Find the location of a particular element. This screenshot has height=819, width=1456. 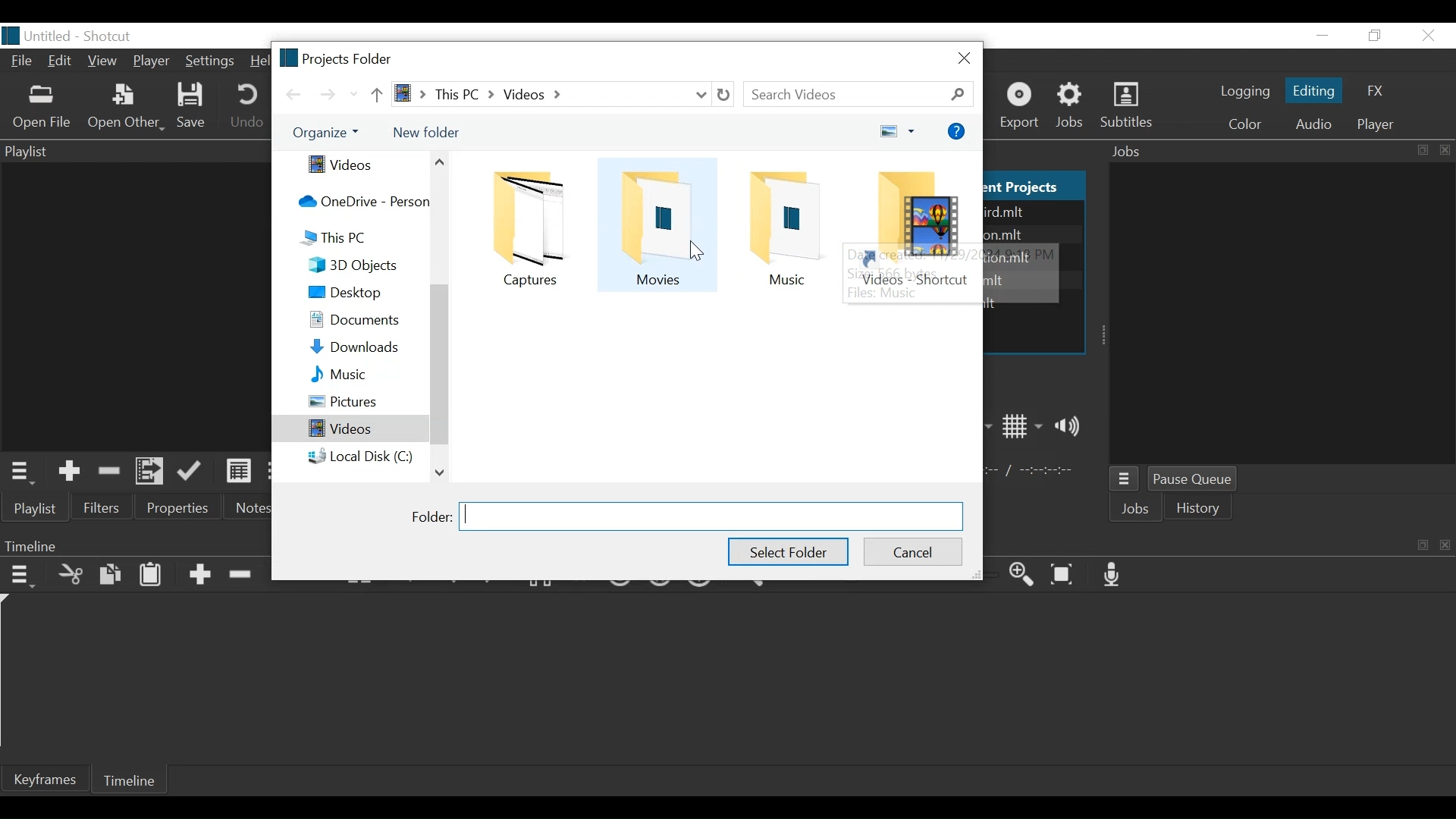

Folder is located at coordinates (780, 227).